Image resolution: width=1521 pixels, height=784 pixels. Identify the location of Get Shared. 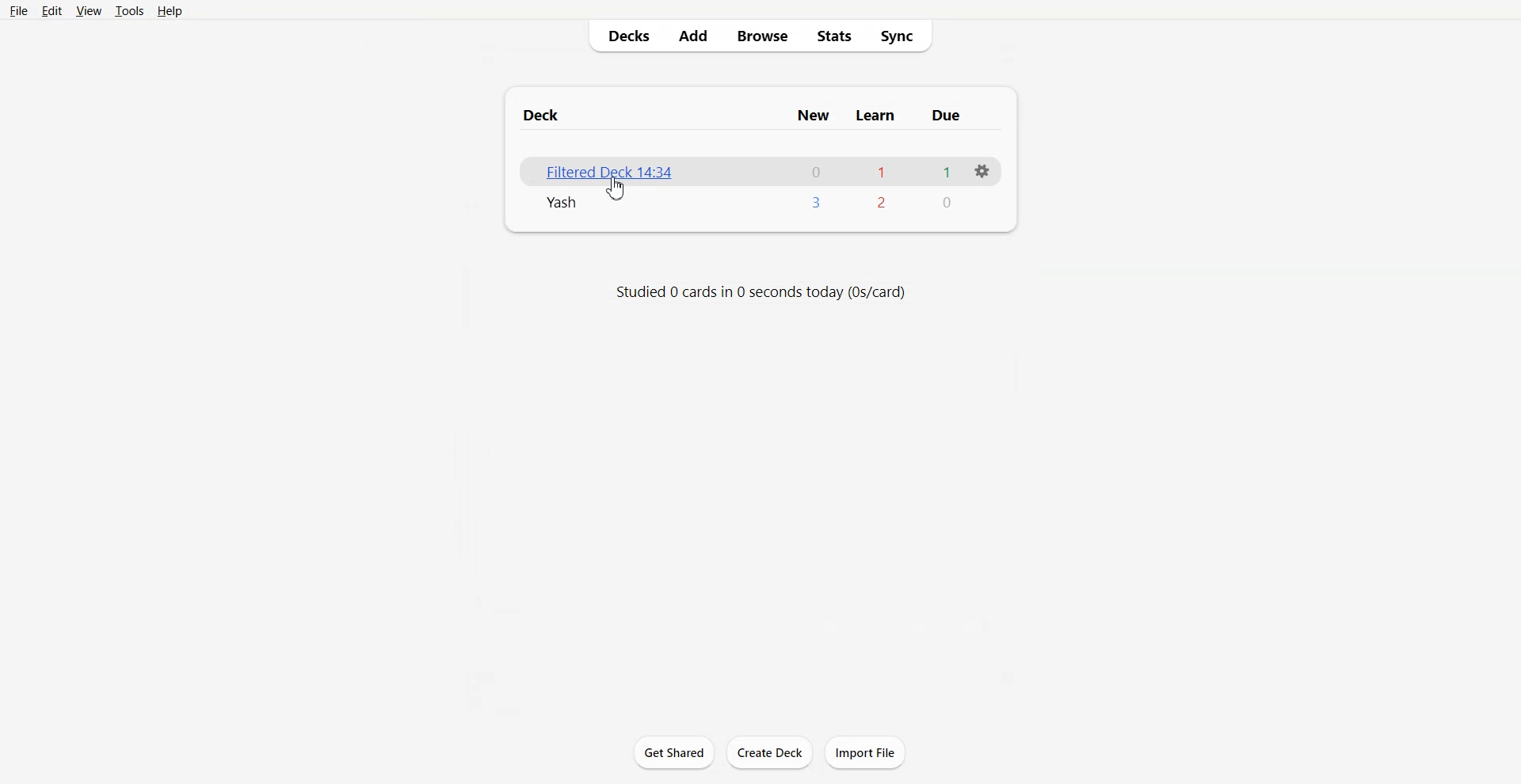
(674, 752).